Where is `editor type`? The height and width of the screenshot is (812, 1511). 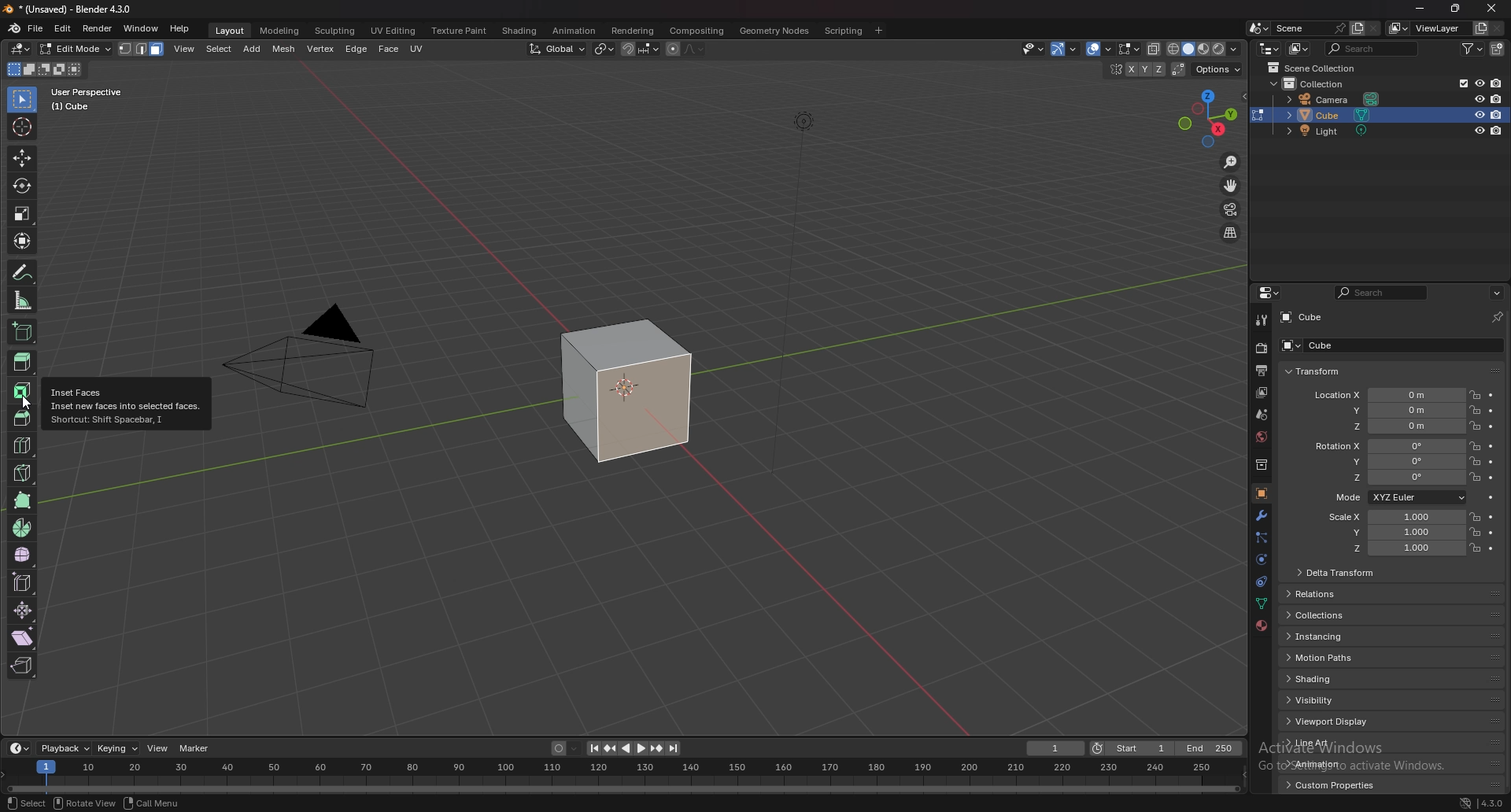
editor type is located at coordinates (1269, 293).